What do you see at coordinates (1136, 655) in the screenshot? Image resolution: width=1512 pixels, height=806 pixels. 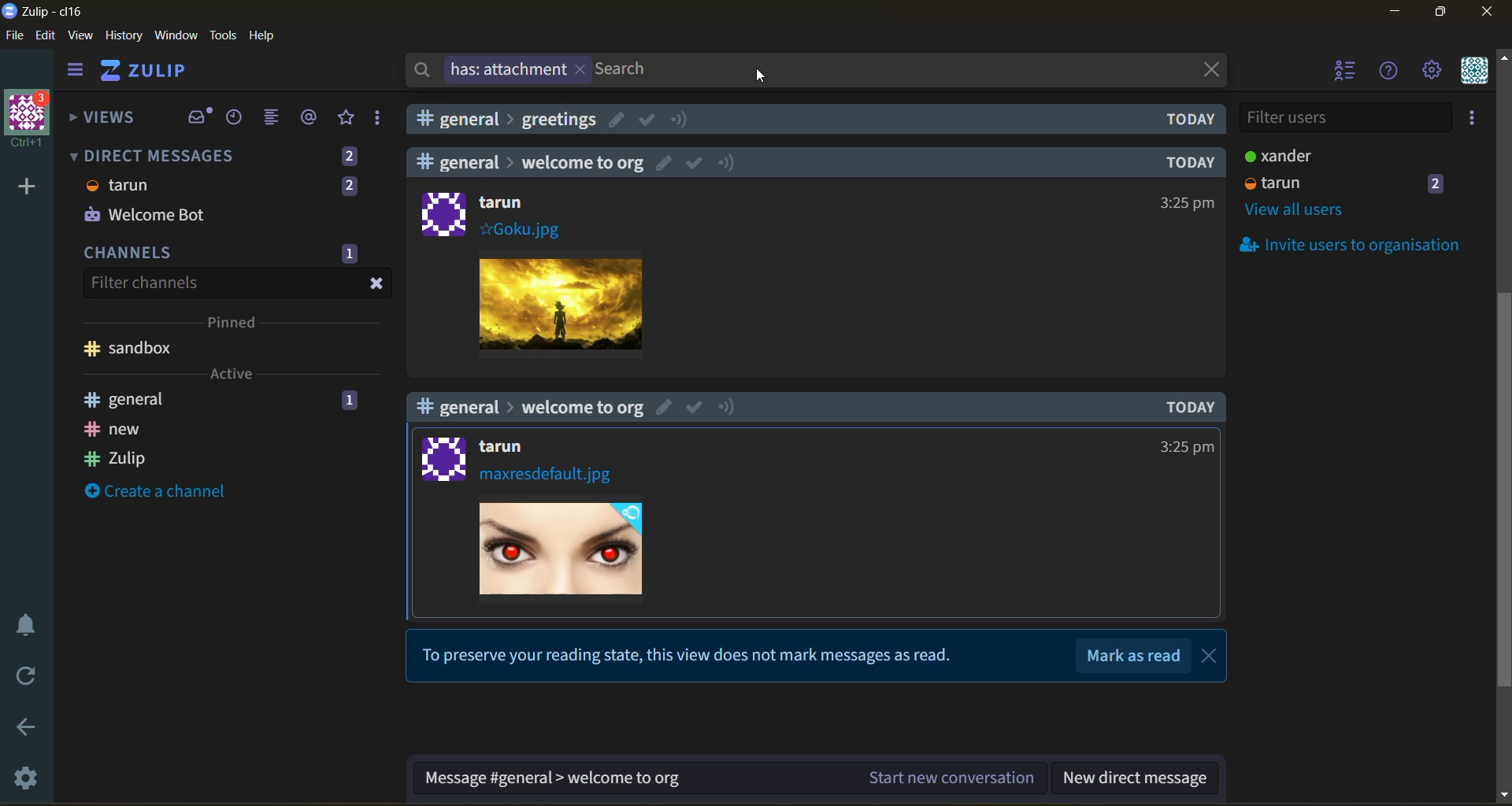 I see `Mark as read` at bounding box center [1136, 655].